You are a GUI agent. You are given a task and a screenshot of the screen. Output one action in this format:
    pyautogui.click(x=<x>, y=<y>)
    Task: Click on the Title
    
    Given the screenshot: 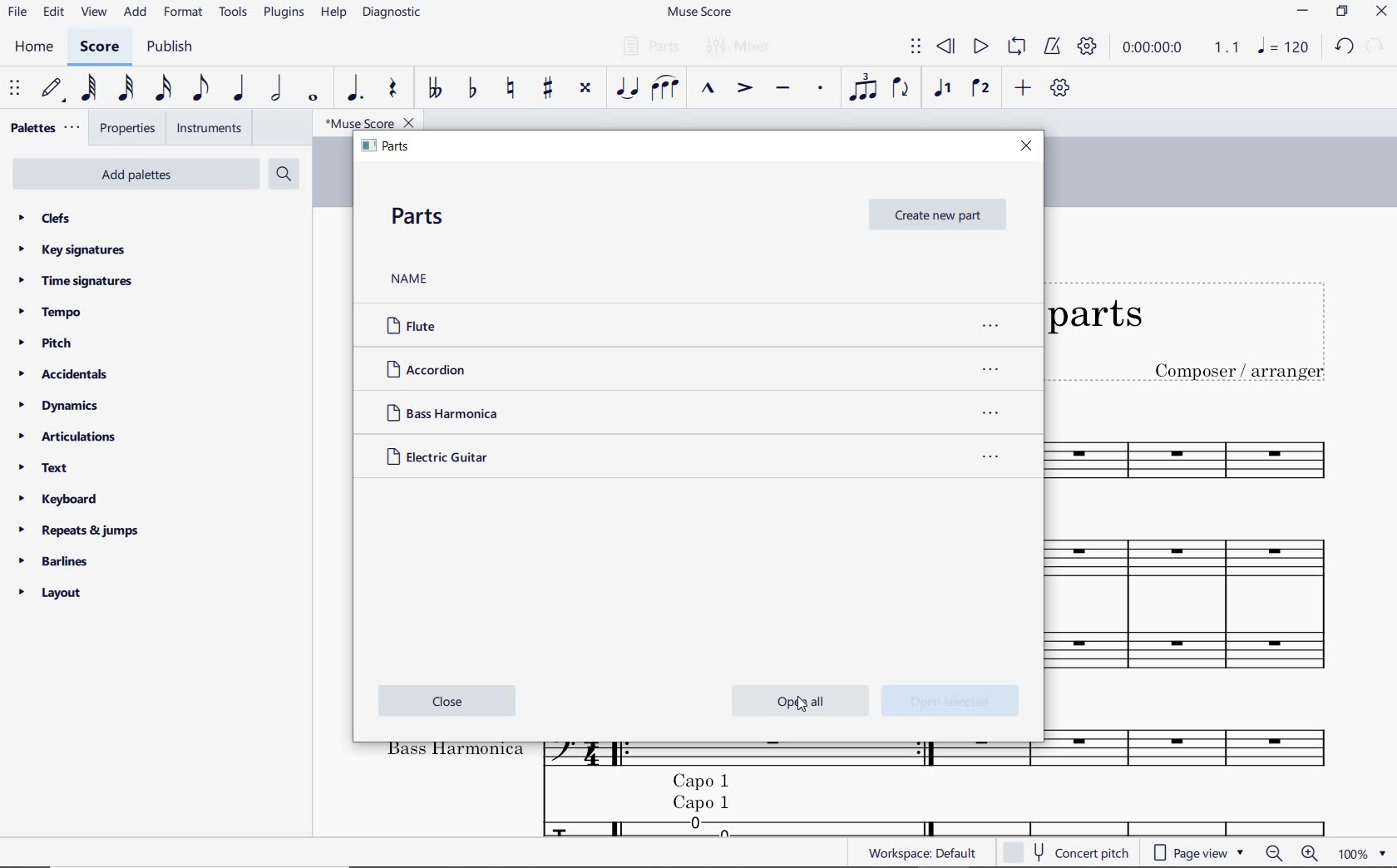 What is the action you would take?
    pyautogui.click(x=1192, y=330)
    